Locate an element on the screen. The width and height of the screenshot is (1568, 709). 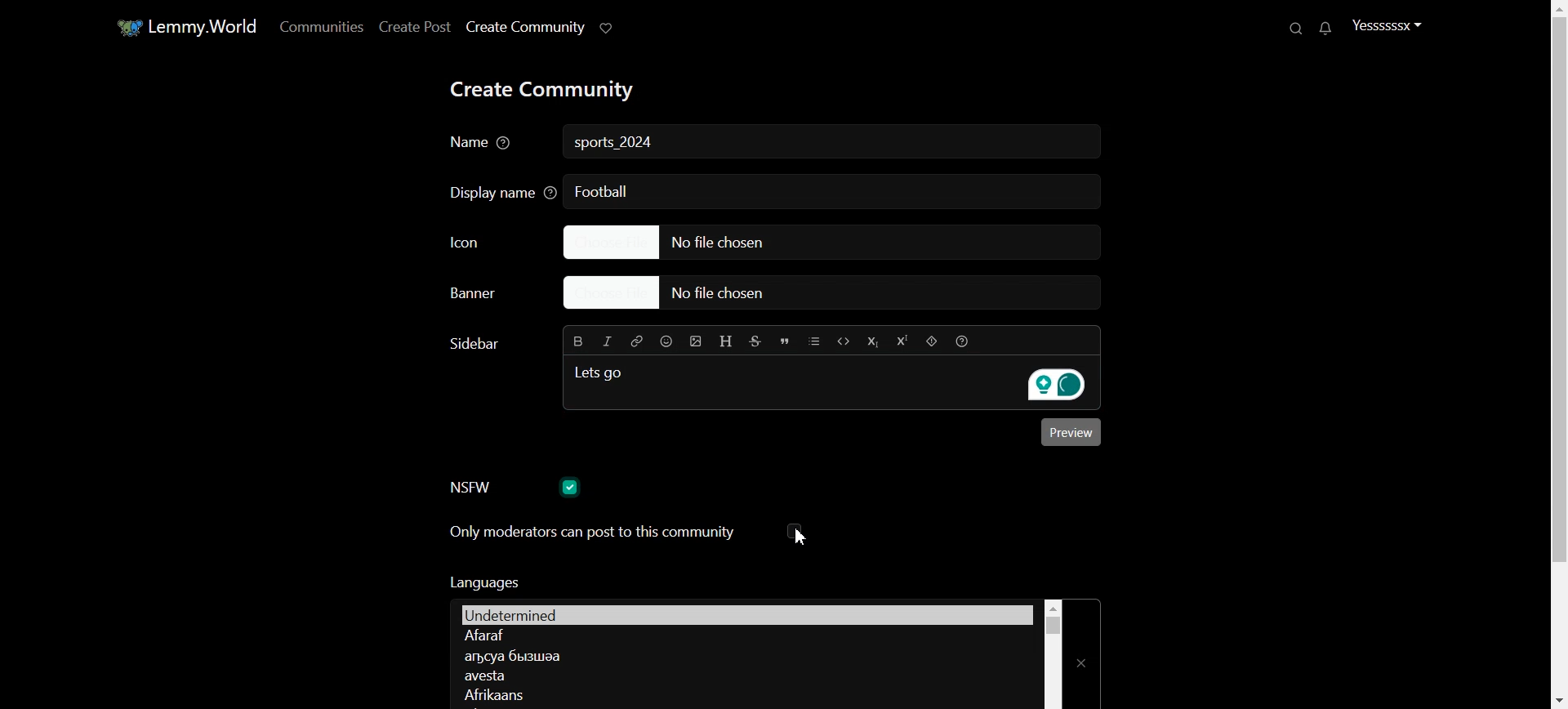
Create Post is located at coordinates (413, 26).